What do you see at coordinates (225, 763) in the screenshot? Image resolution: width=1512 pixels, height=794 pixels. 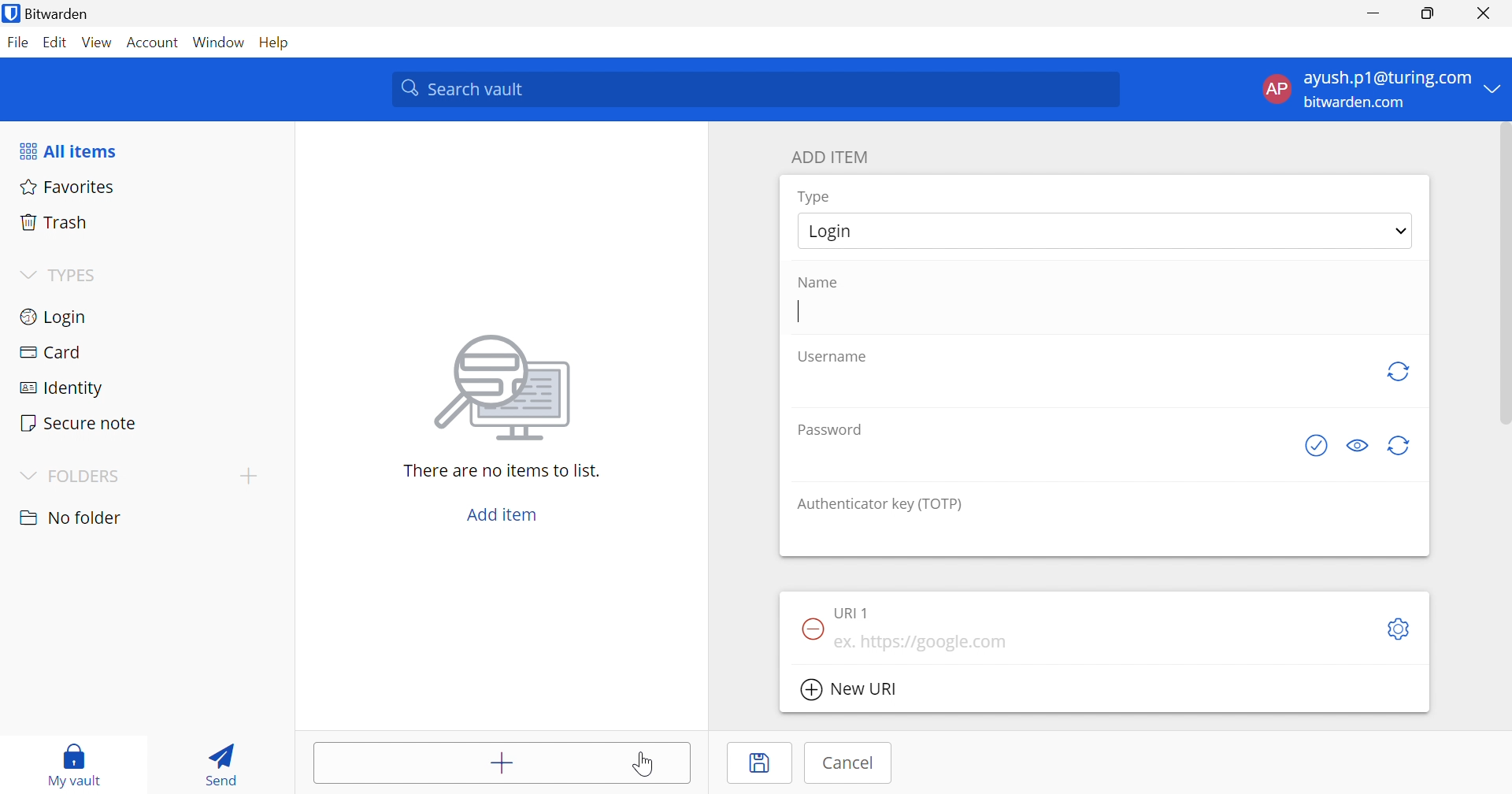 I see `Send` at bounding box center [225, 763].